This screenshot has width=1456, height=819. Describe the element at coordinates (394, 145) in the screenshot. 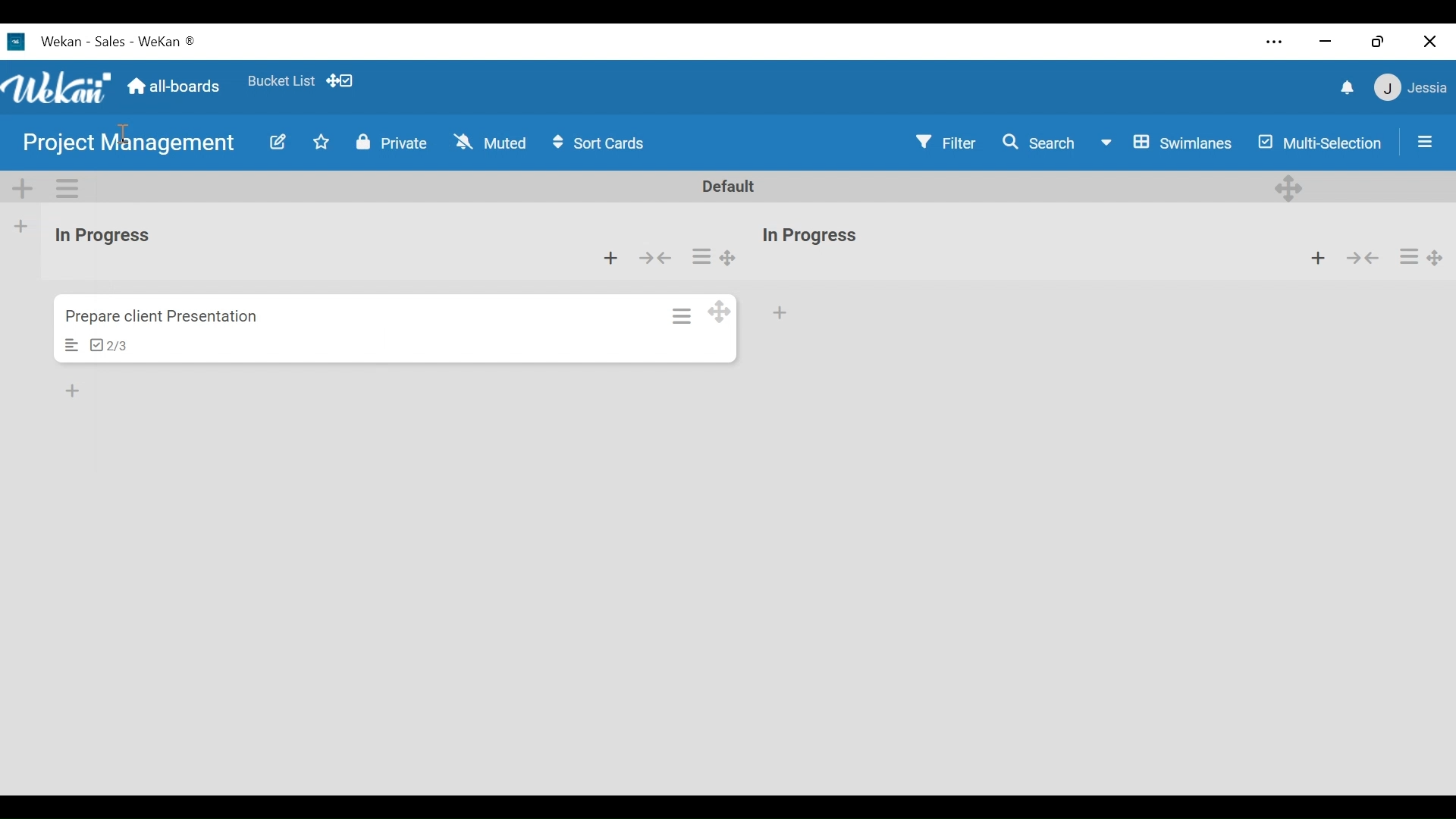

I see `Private` at that location.